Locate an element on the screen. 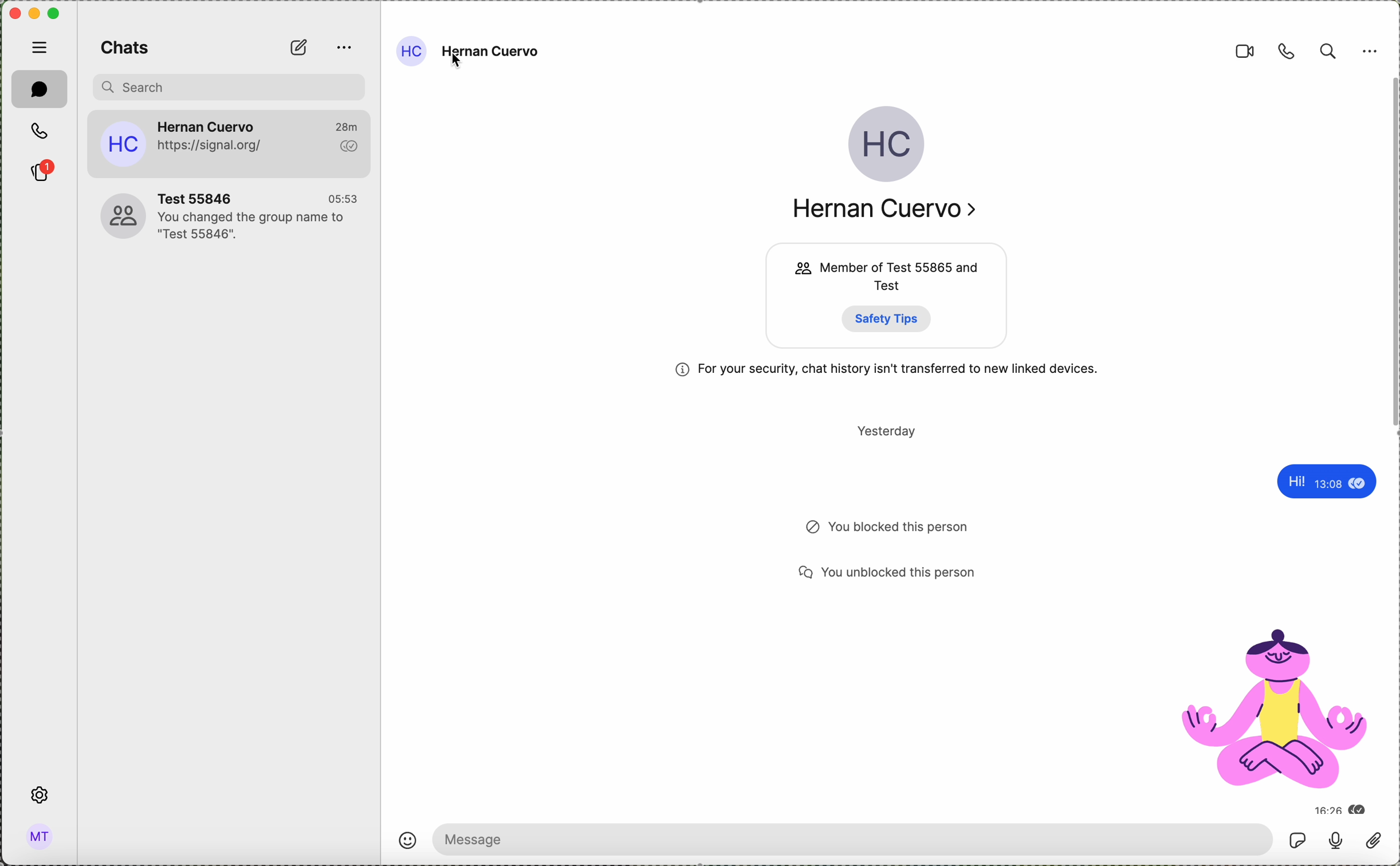 The image size is (1400, 866). voice record is located at coordinates (1335, 839).